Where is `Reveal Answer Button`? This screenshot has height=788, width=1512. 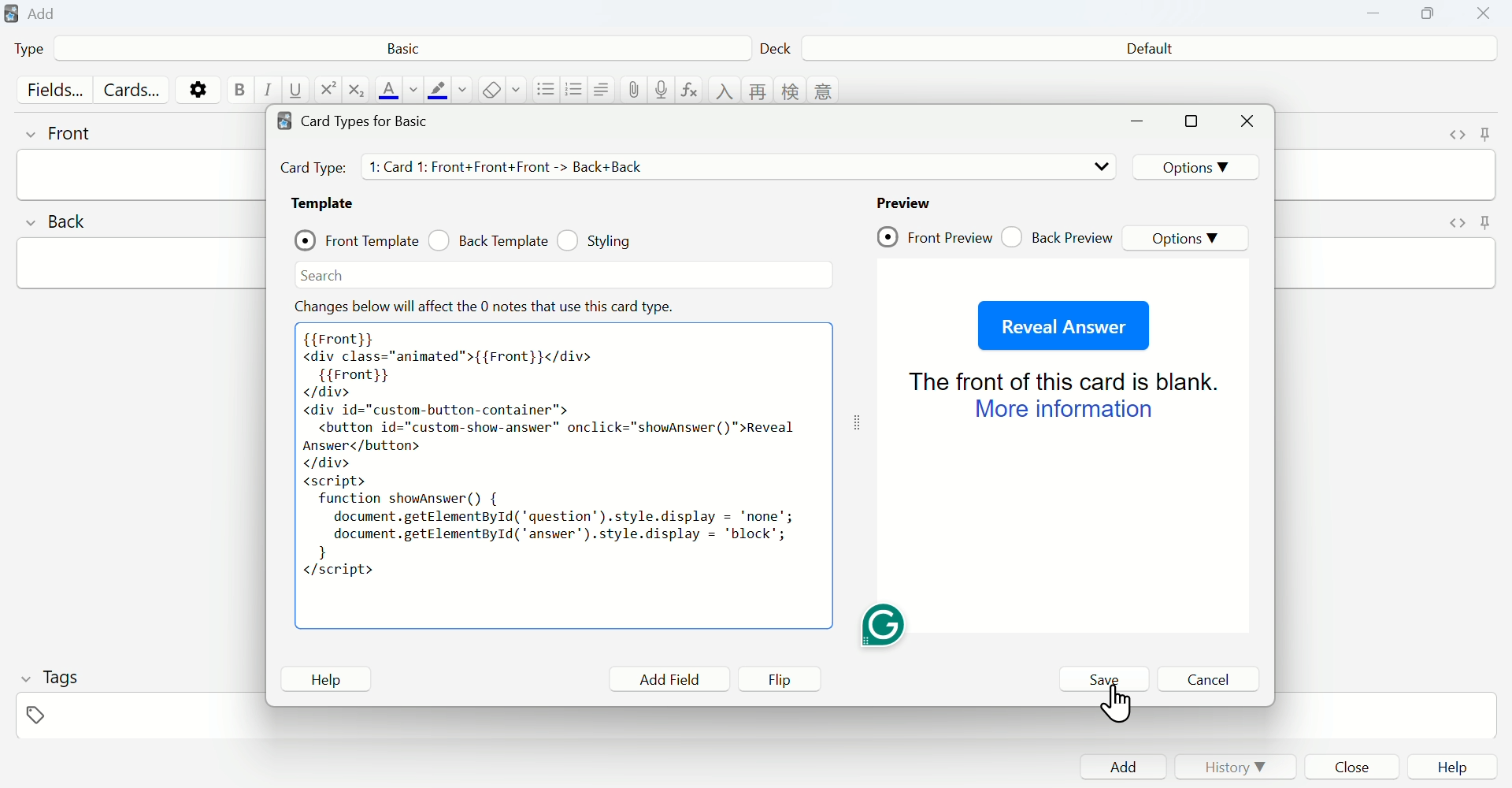 Reveal Answer Button is located at coordinates (1062, 325).